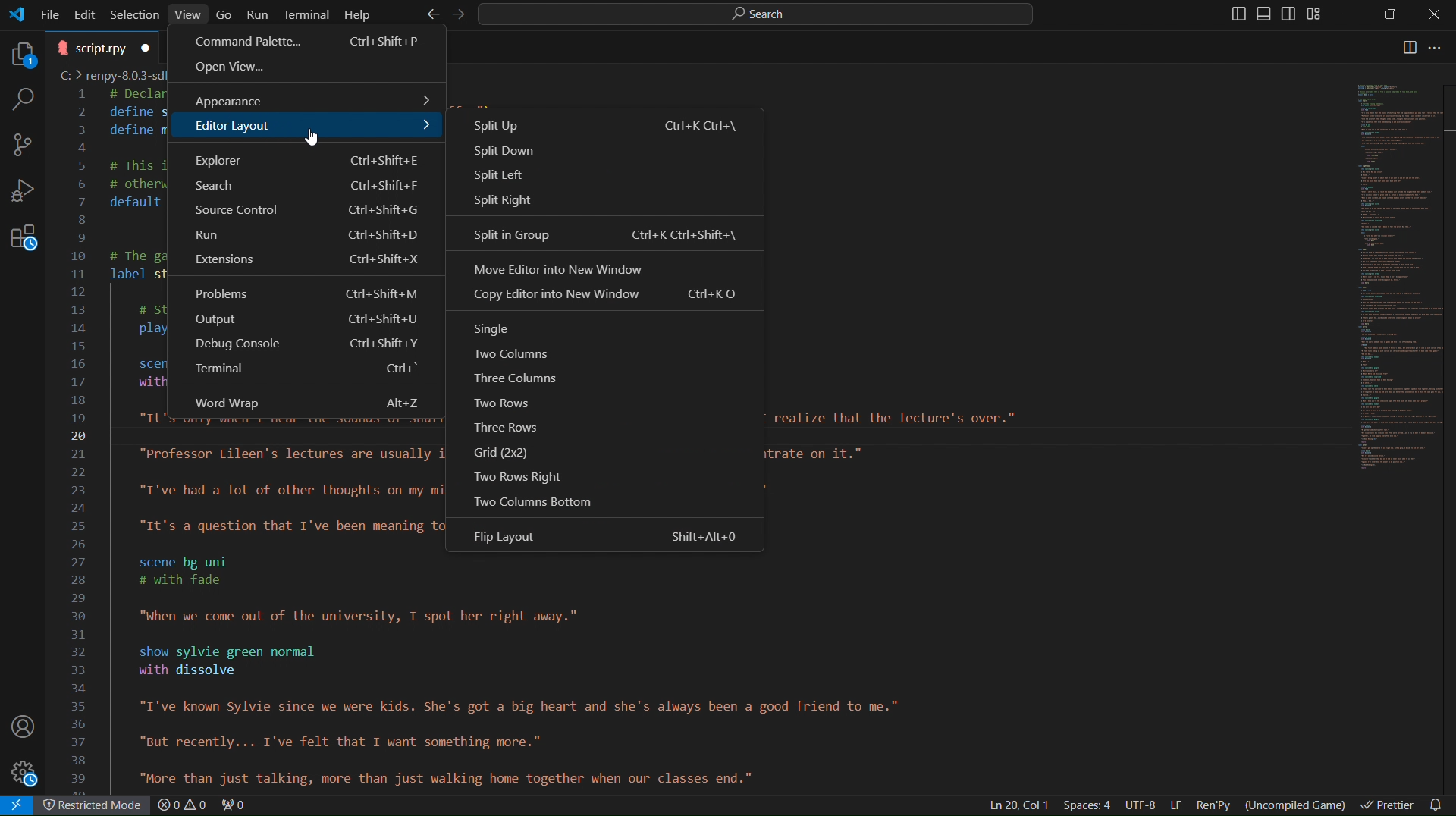 The width and height of the screenshot is (1456, 816). I want to click on line numbering, so click(81, 440).